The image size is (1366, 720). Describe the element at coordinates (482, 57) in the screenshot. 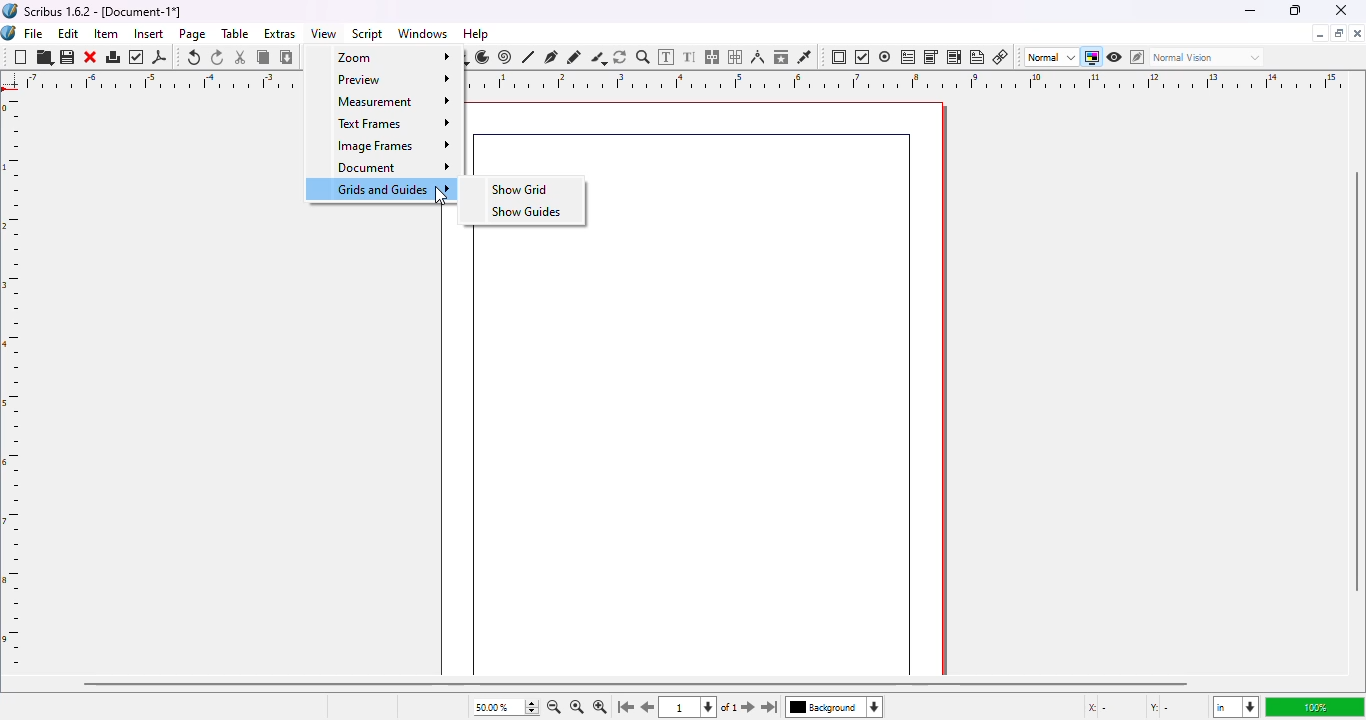

I see `arc` at that location.